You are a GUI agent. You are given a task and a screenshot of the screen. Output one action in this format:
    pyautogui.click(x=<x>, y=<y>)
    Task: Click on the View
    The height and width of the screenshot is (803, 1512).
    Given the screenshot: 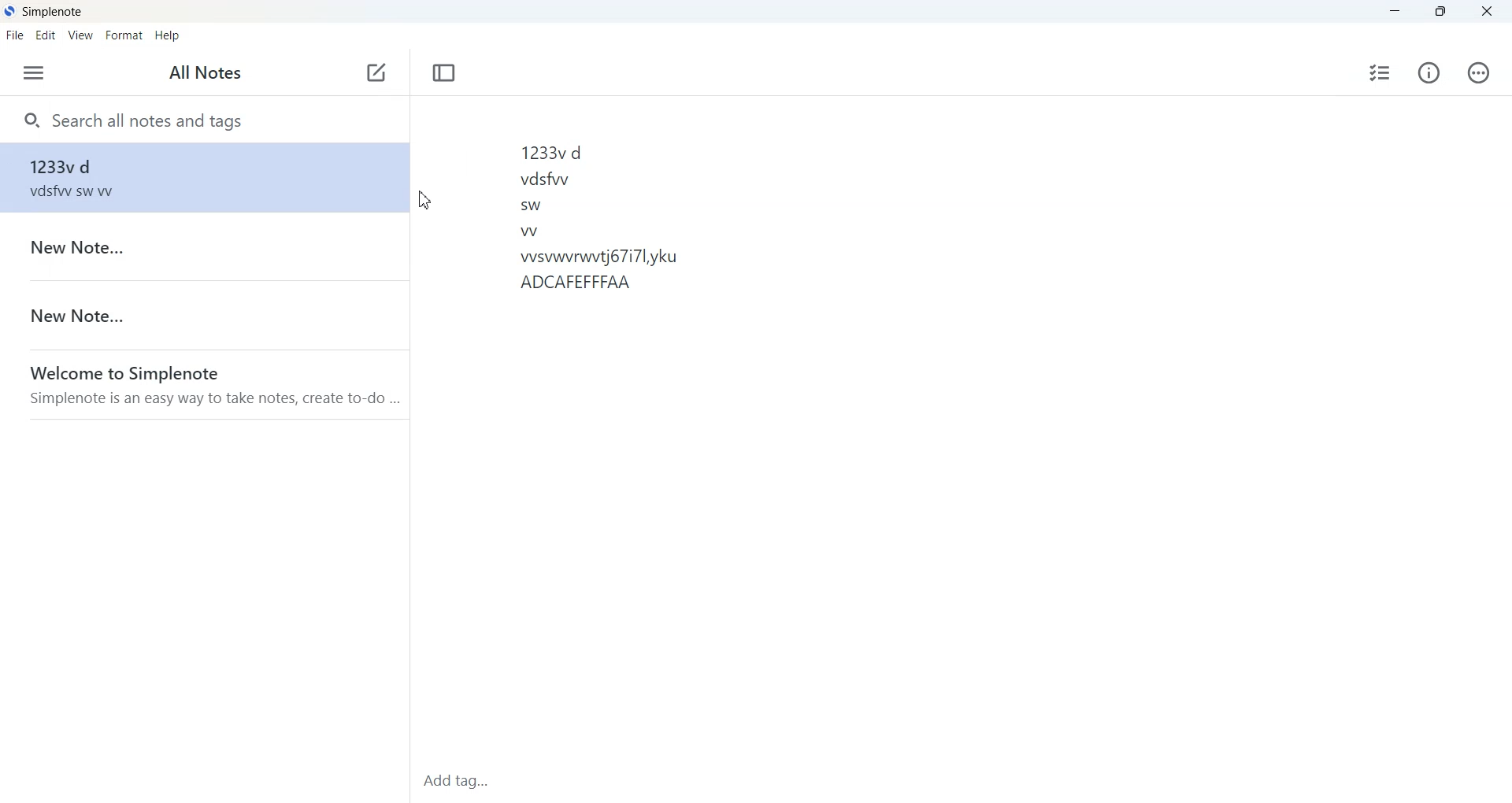 What is the action you would take?
    pyautogui.click(x=81, y=35)
    